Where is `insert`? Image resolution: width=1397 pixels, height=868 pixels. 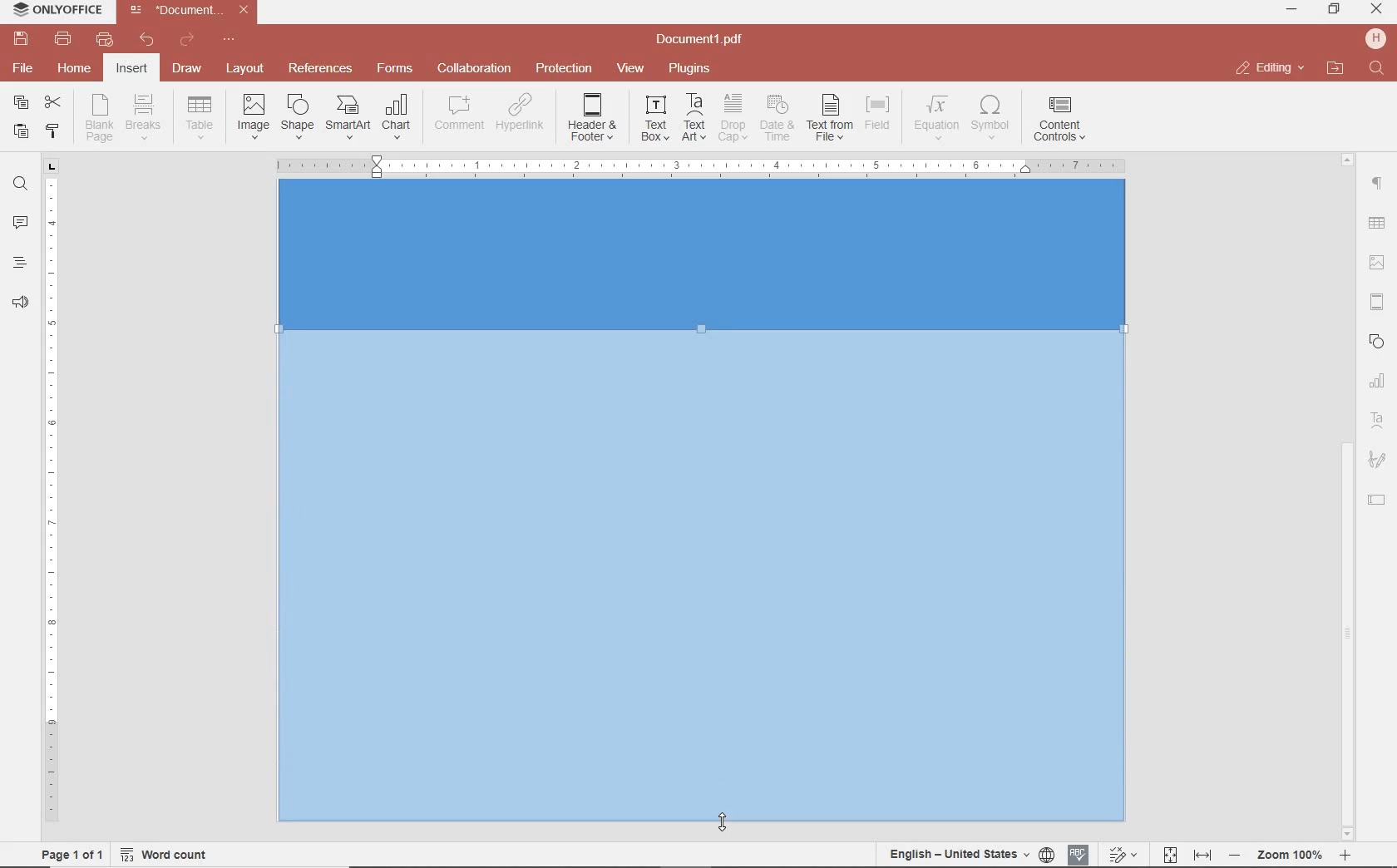 insert is located at coordinates (131, 70).